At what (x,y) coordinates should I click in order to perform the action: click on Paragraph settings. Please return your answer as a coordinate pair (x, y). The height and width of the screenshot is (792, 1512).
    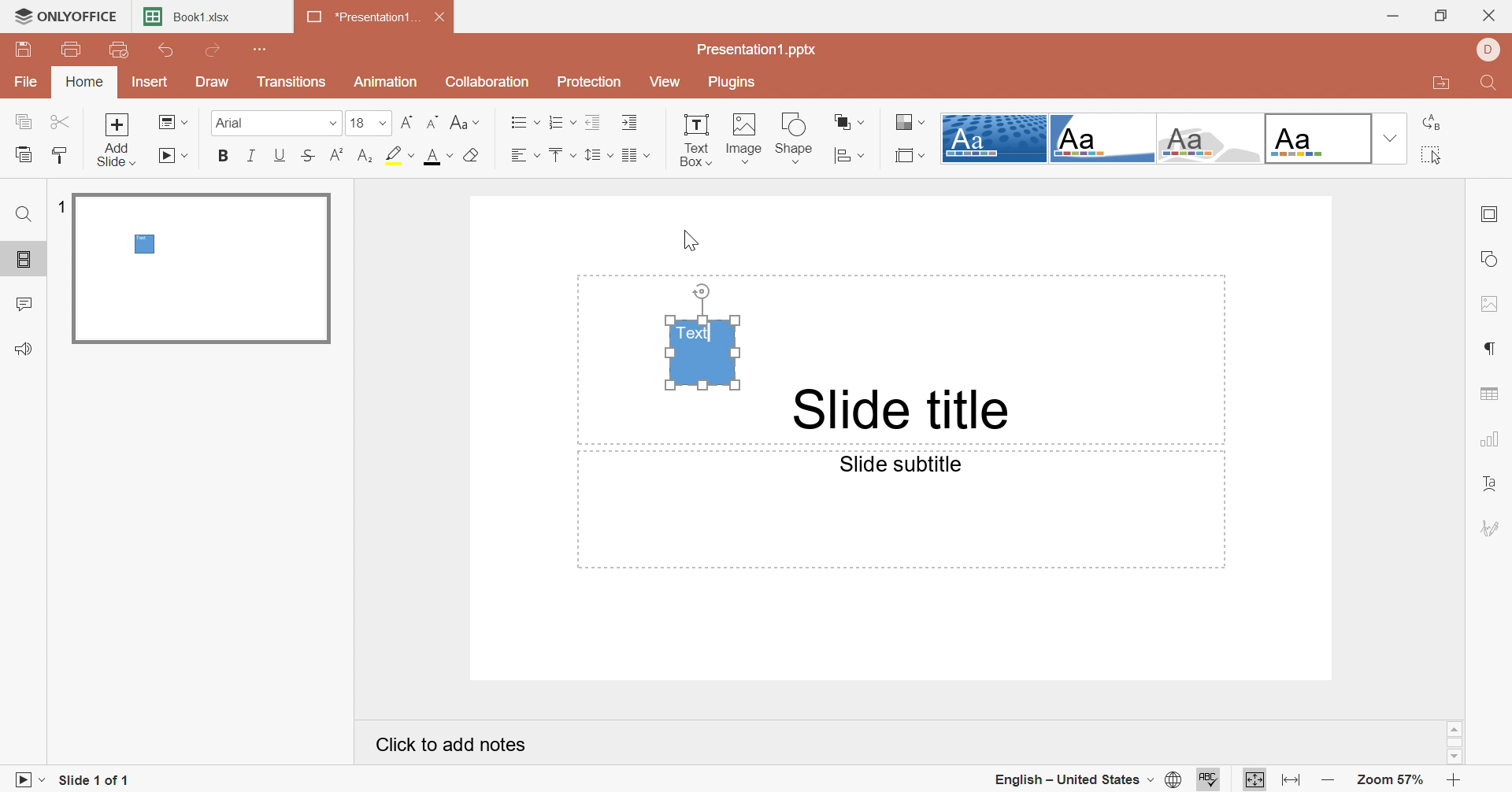
    Looking at the image, I should click on (1491, 347).